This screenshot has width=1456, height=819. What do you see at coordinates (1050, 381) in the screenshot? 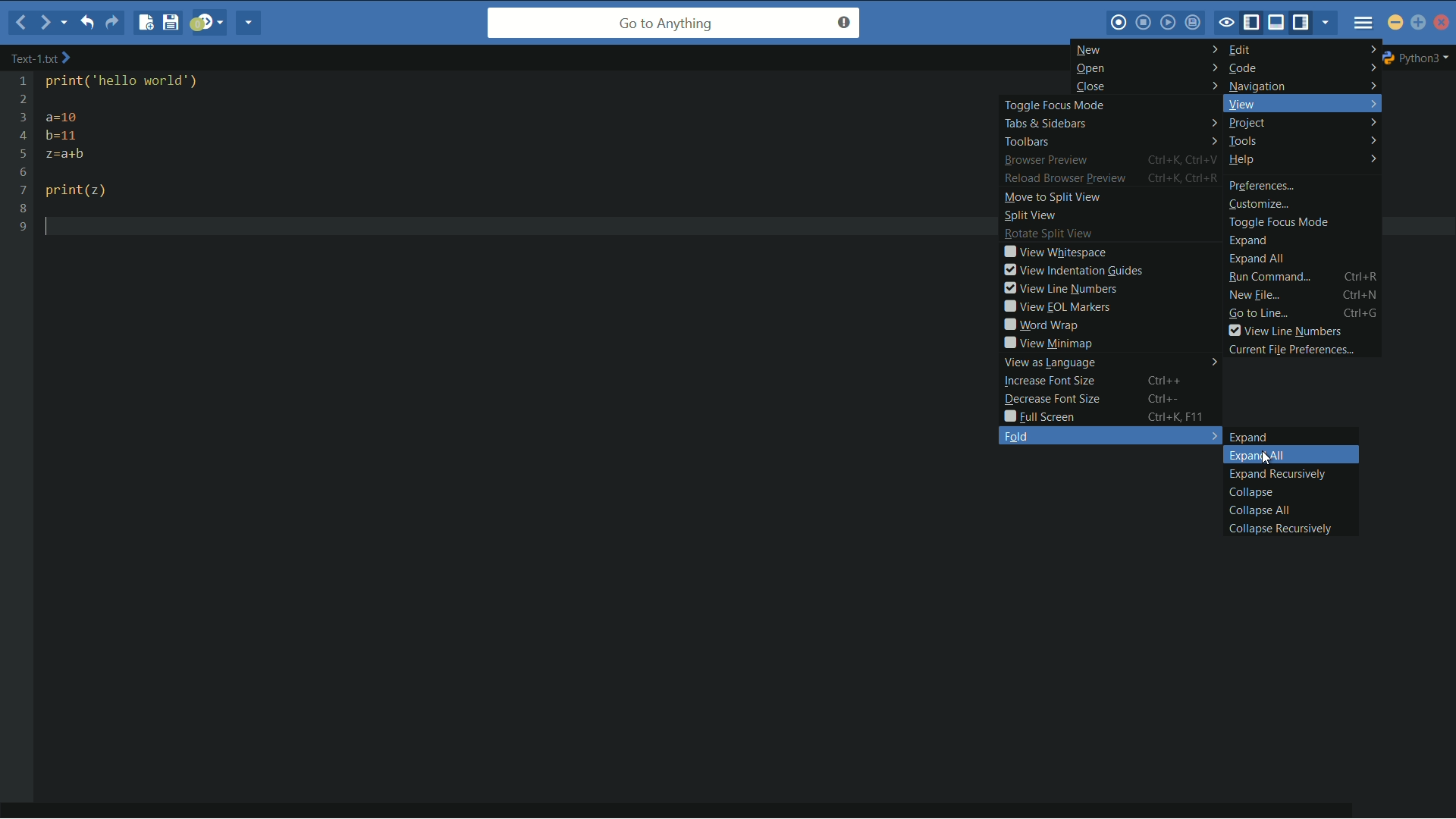
I see `increase font size` at bounding box center [1050, 381].